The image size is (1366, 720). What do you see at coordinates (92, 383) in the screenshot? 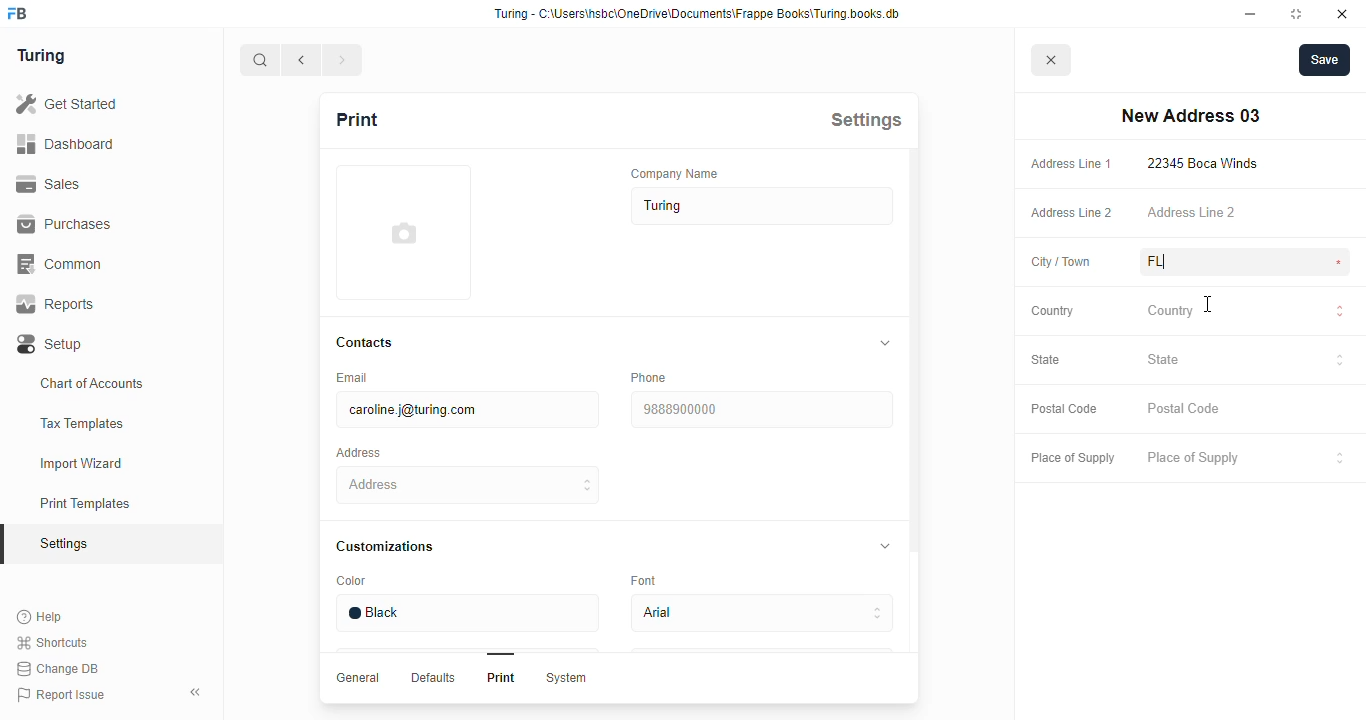
I see `chart of accounts` at bounding box center [92, 383].